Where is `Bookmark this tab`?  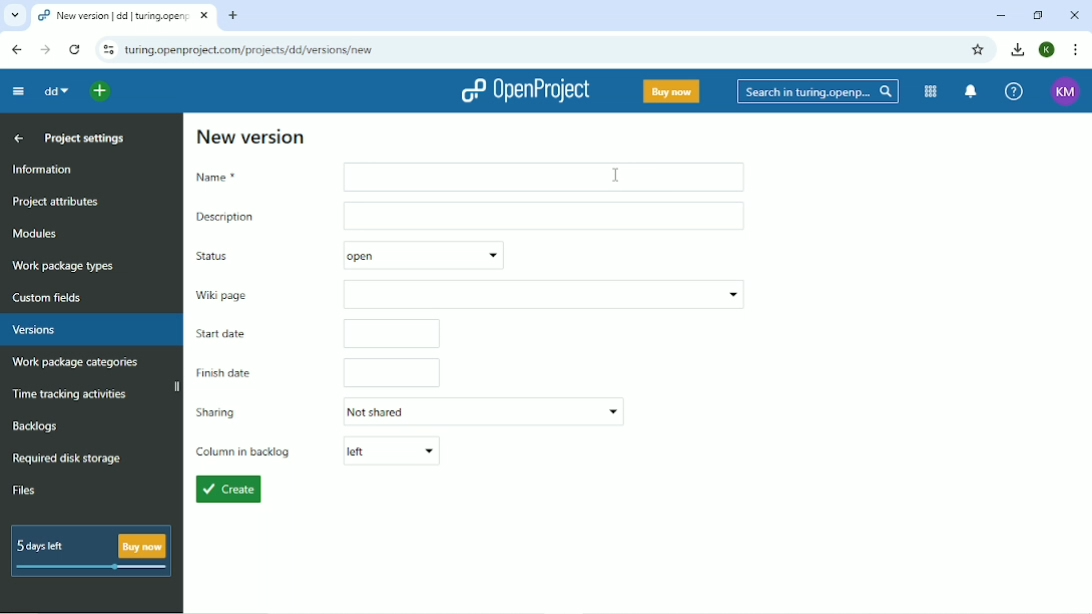
Bookmark this tab is located at coordinates (977, 50).